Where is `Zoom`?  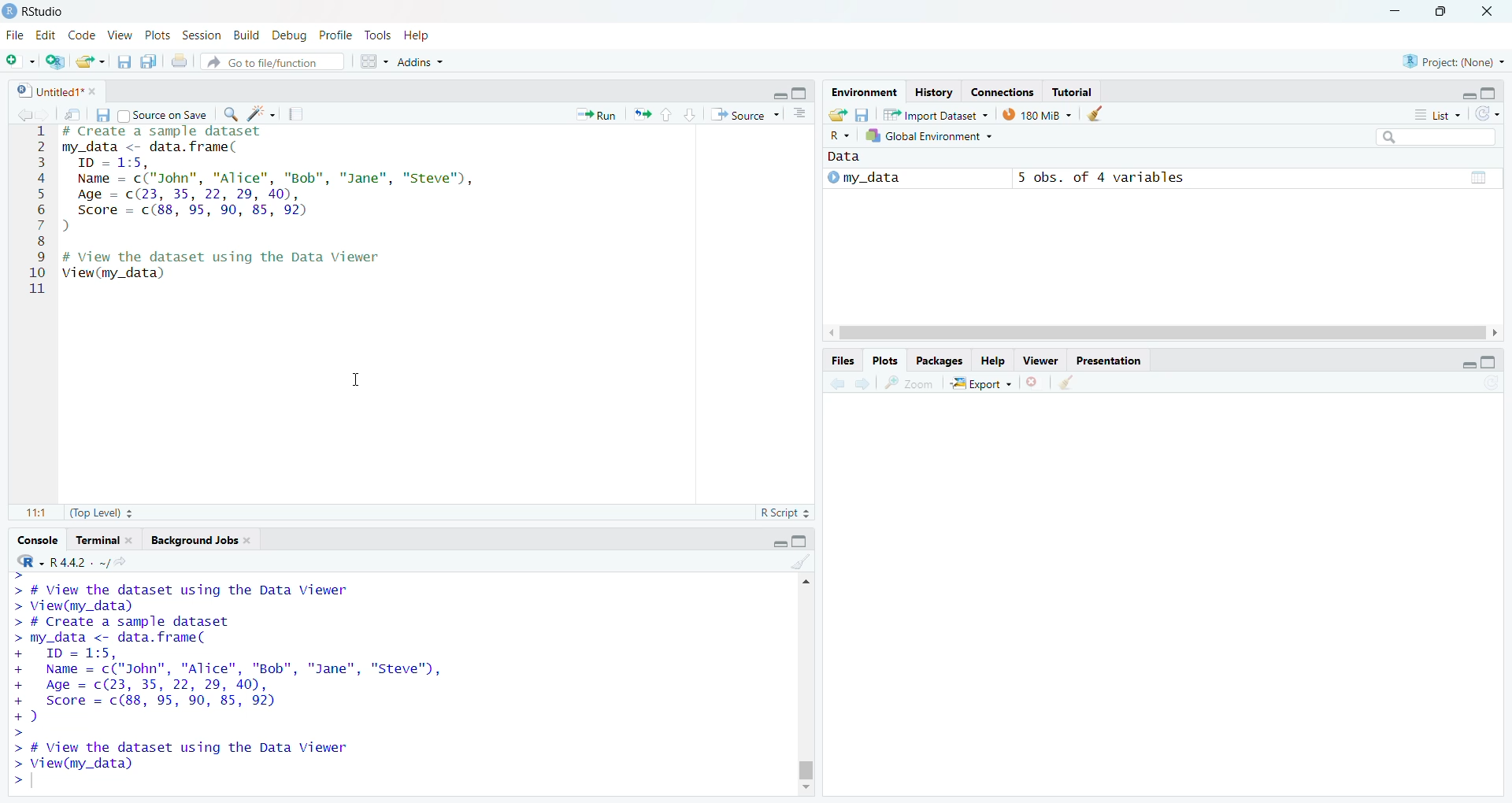
Zoom is located at coordinates (906, 382).